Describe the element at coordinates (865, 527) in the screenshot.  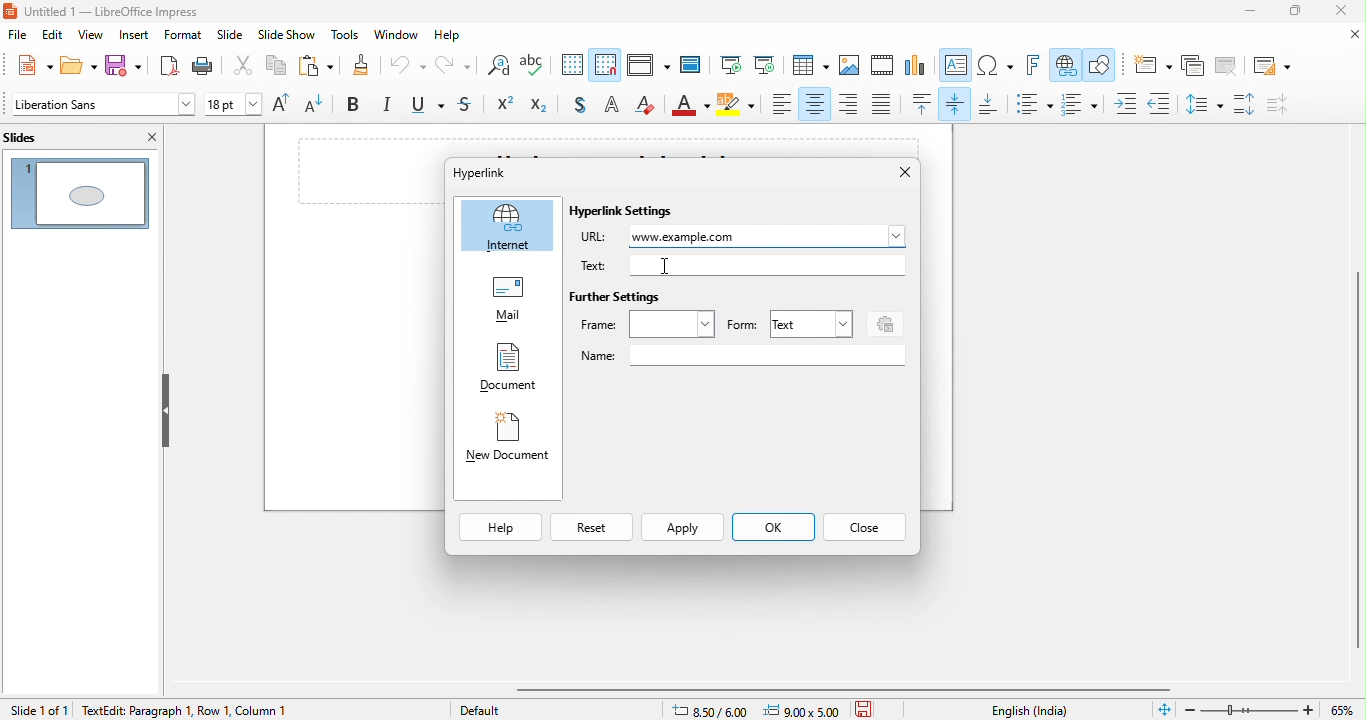
I see `close` at that location.